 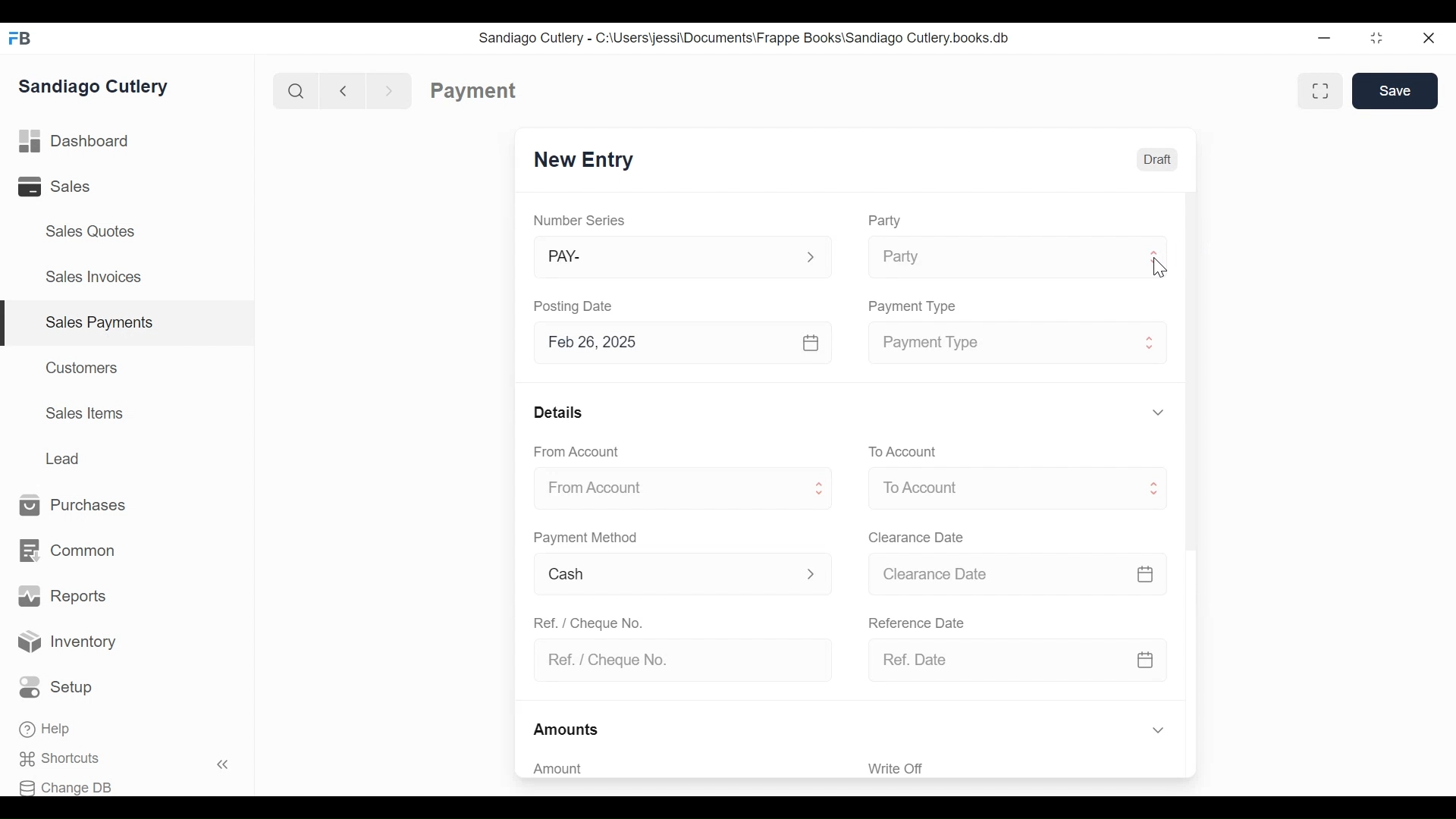 I want to click on Details, so click(x=558, y=411).